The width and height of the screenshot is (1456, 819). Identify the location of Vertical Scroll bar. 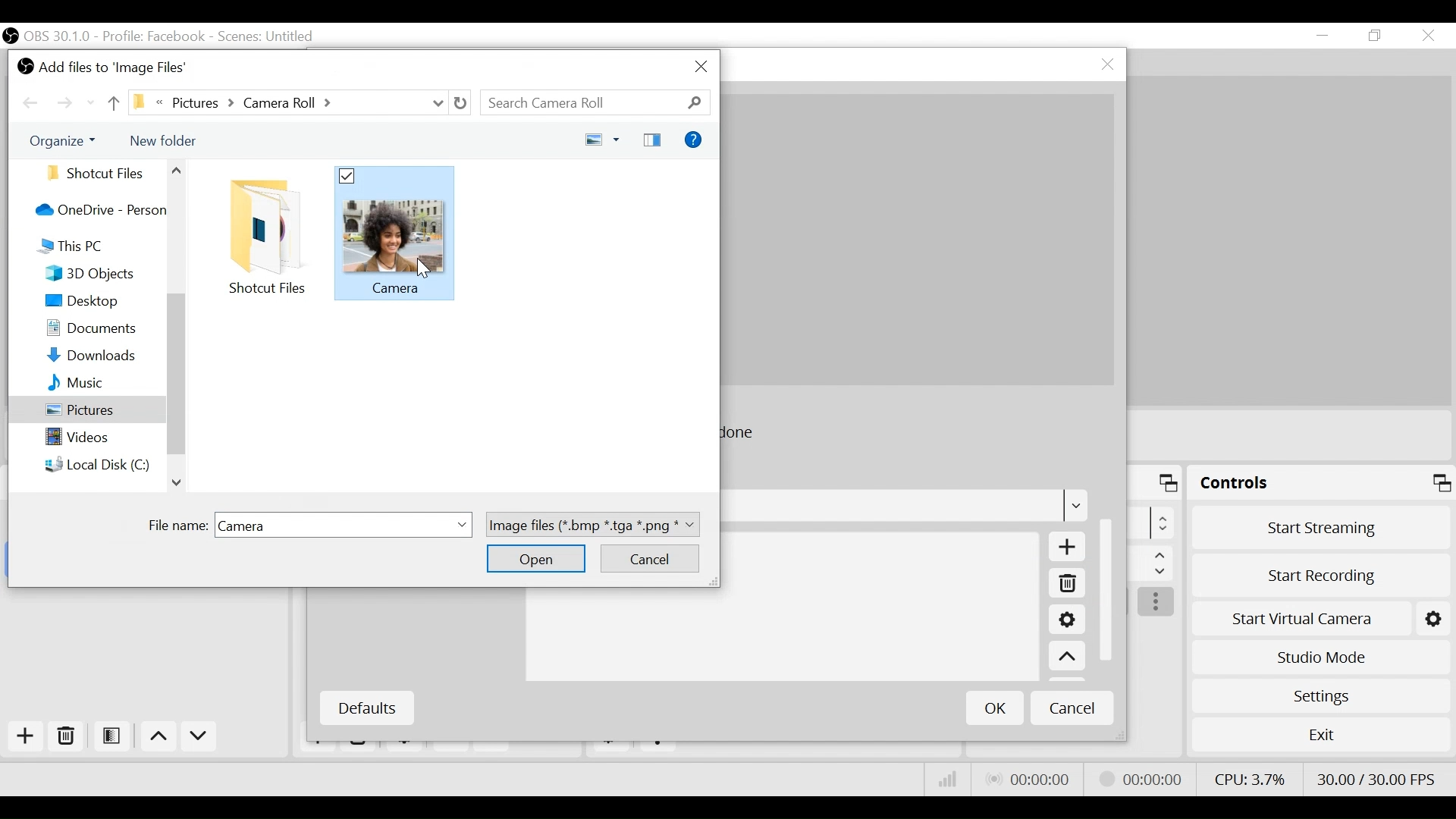
(1109, 587).